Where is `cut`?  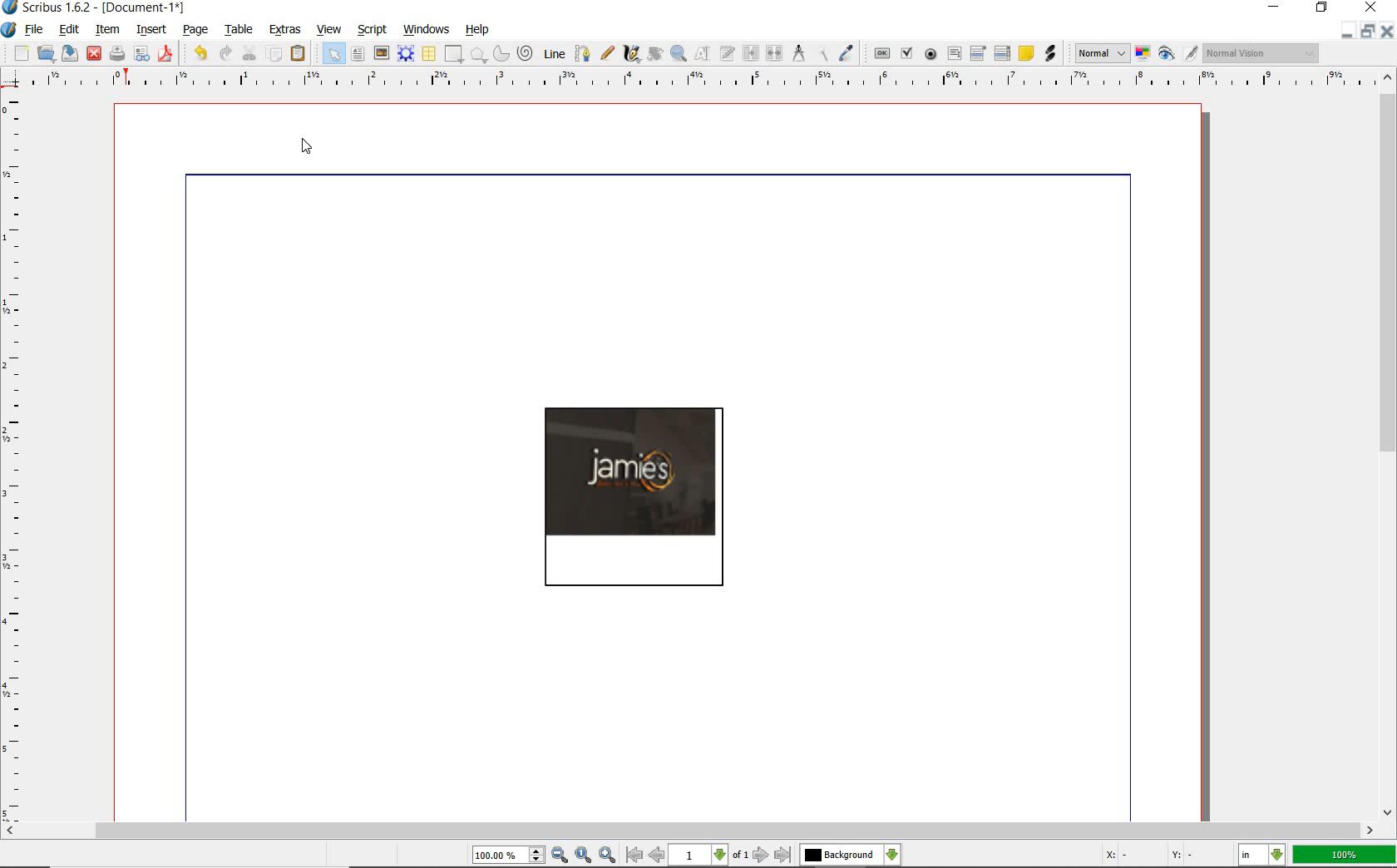 cut is located at coordinates (249, 53).